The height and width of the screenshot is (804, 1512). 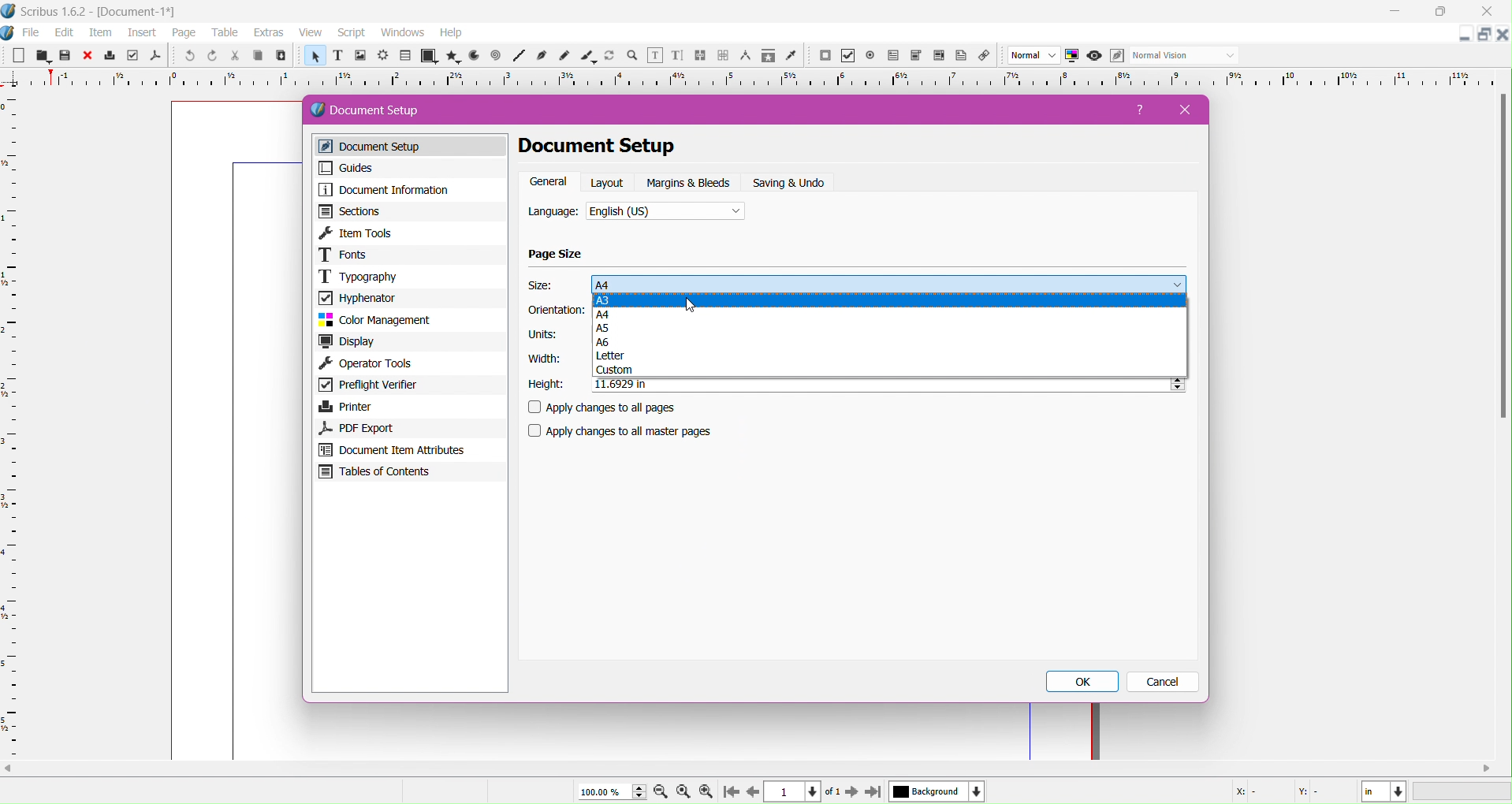 I want to click on , so click(x=156, y=56).